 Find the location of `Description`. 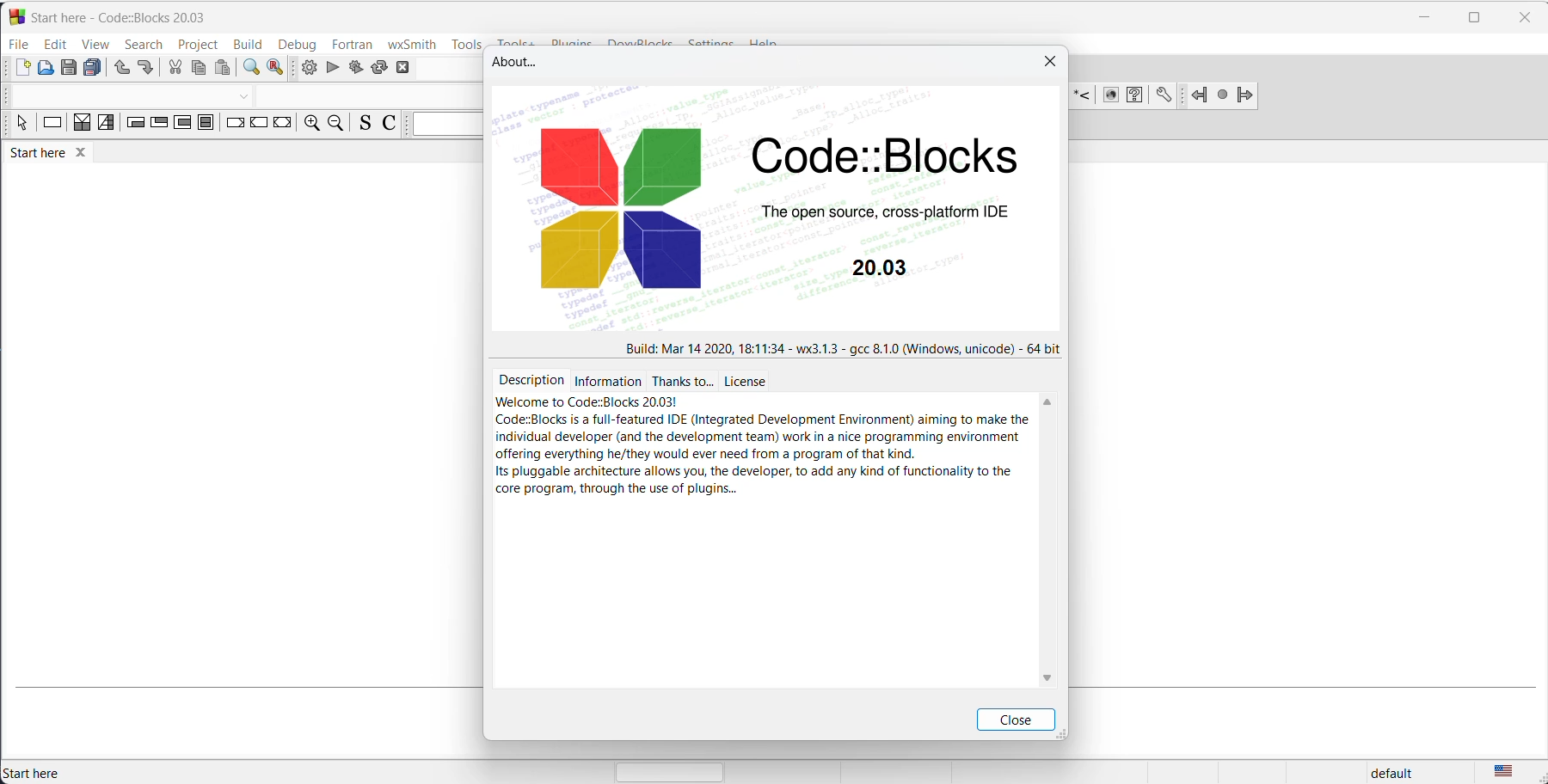

Description is located at coordinates (530, 380).